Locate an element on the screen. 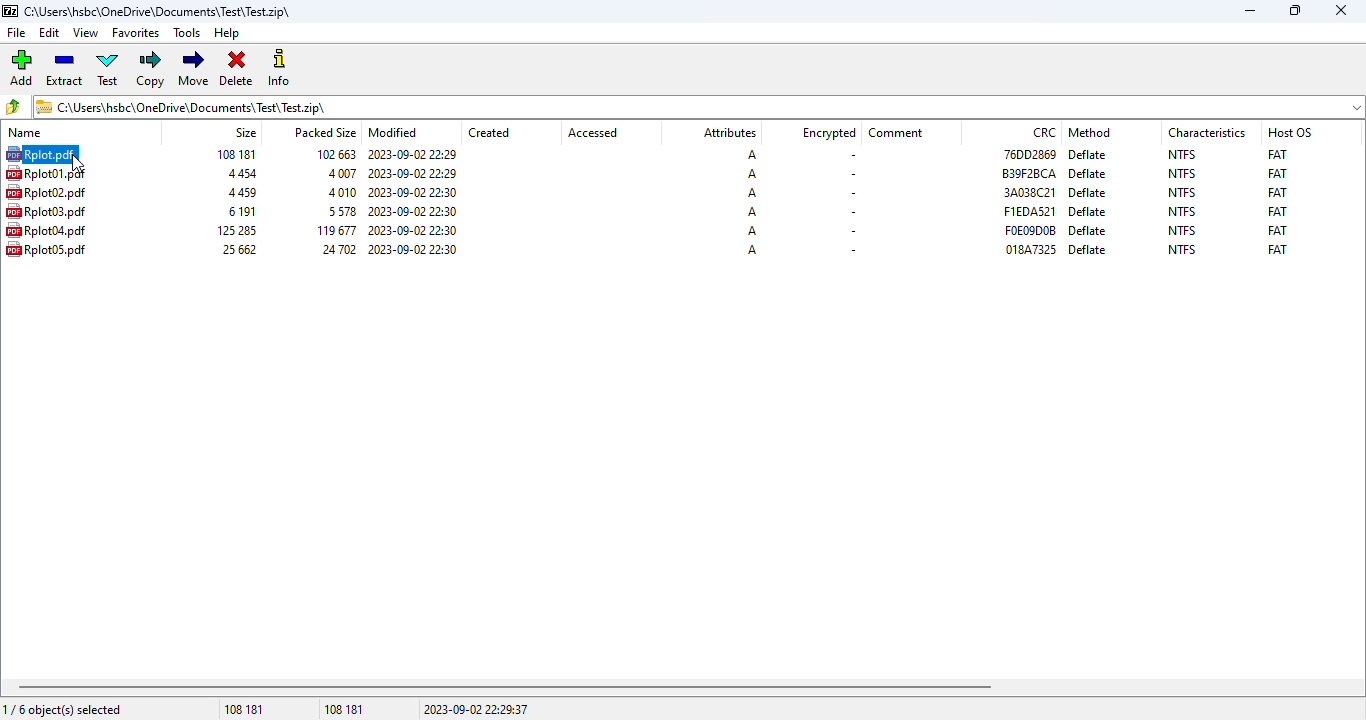 This screenshot has width=1366, height=720. CRC is located at coordinates (1029, 173).